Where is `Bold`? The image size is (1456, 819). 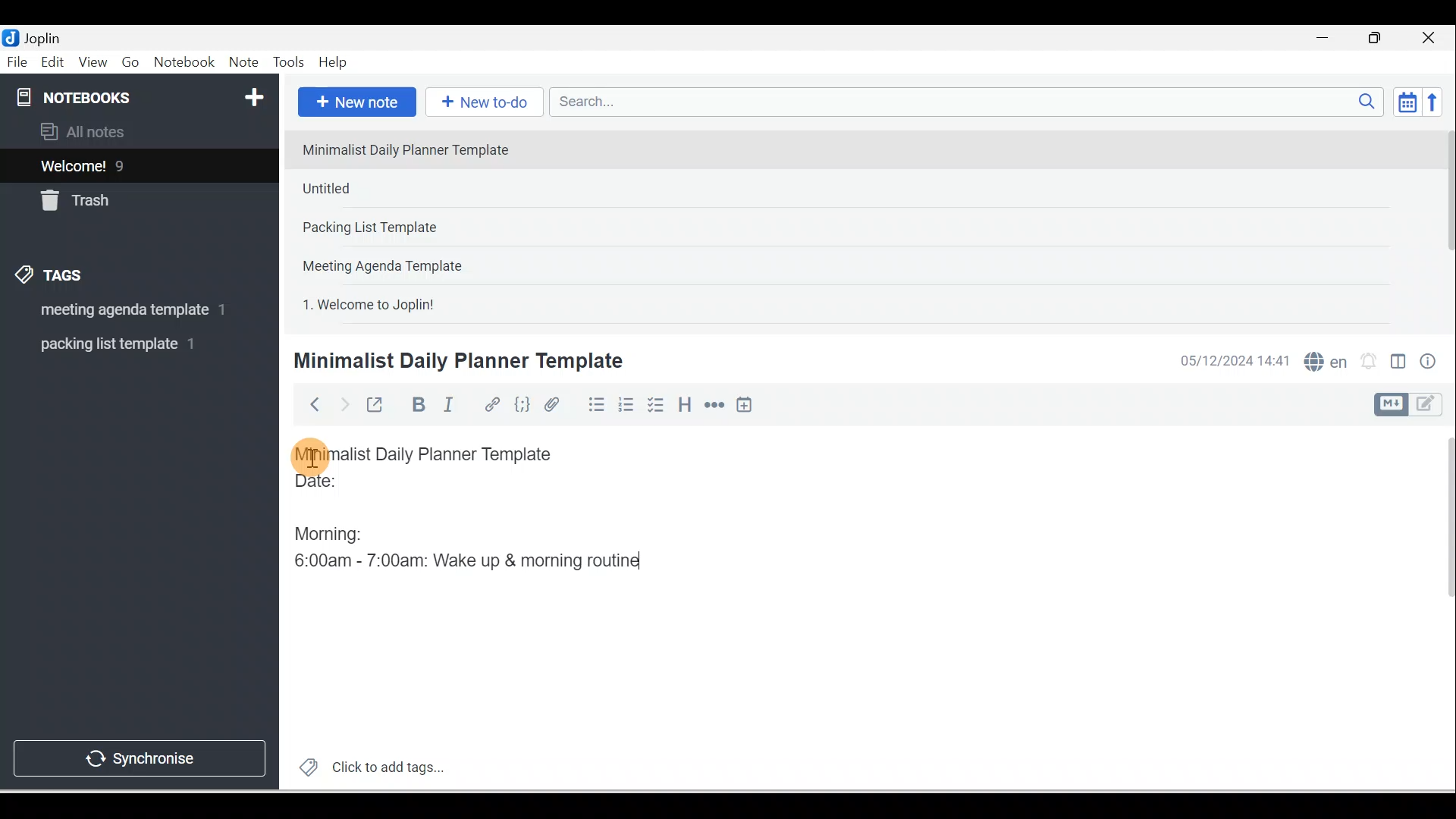 Bold is located at coordinates (416, 405).